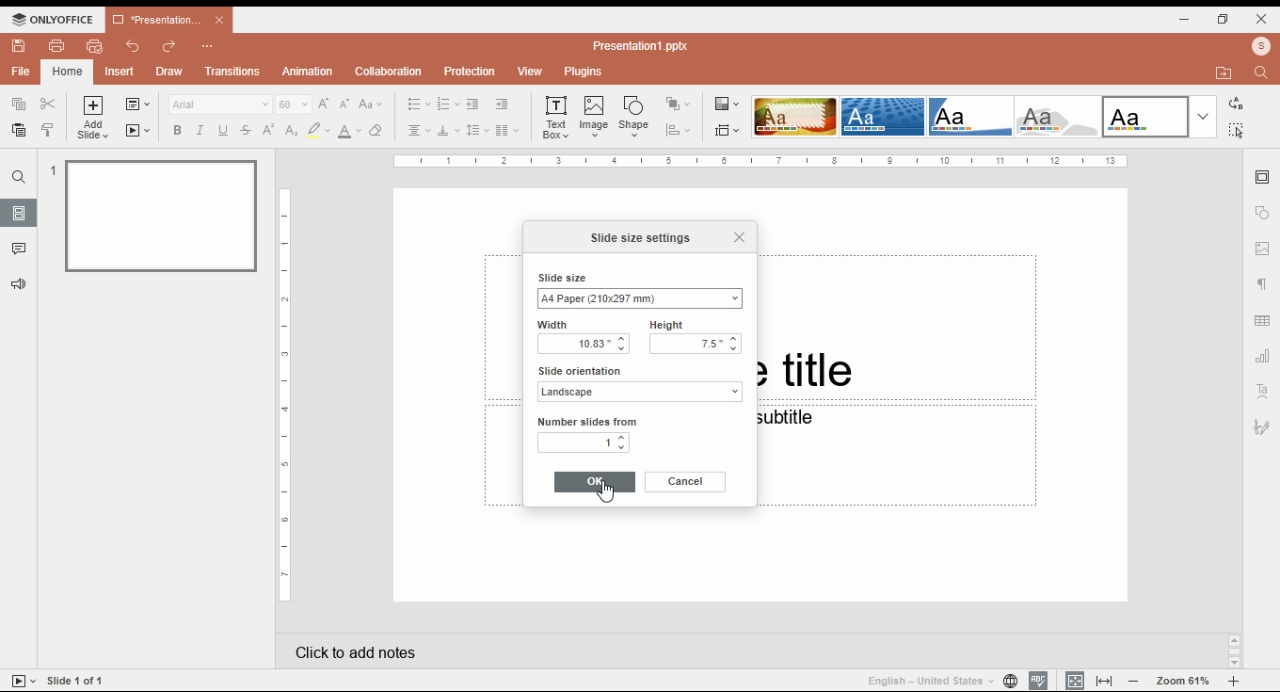 The image size is (1280, 692). Describe the element at coordinates (595, 116) in the screenshot. I see `insert image` at that location.